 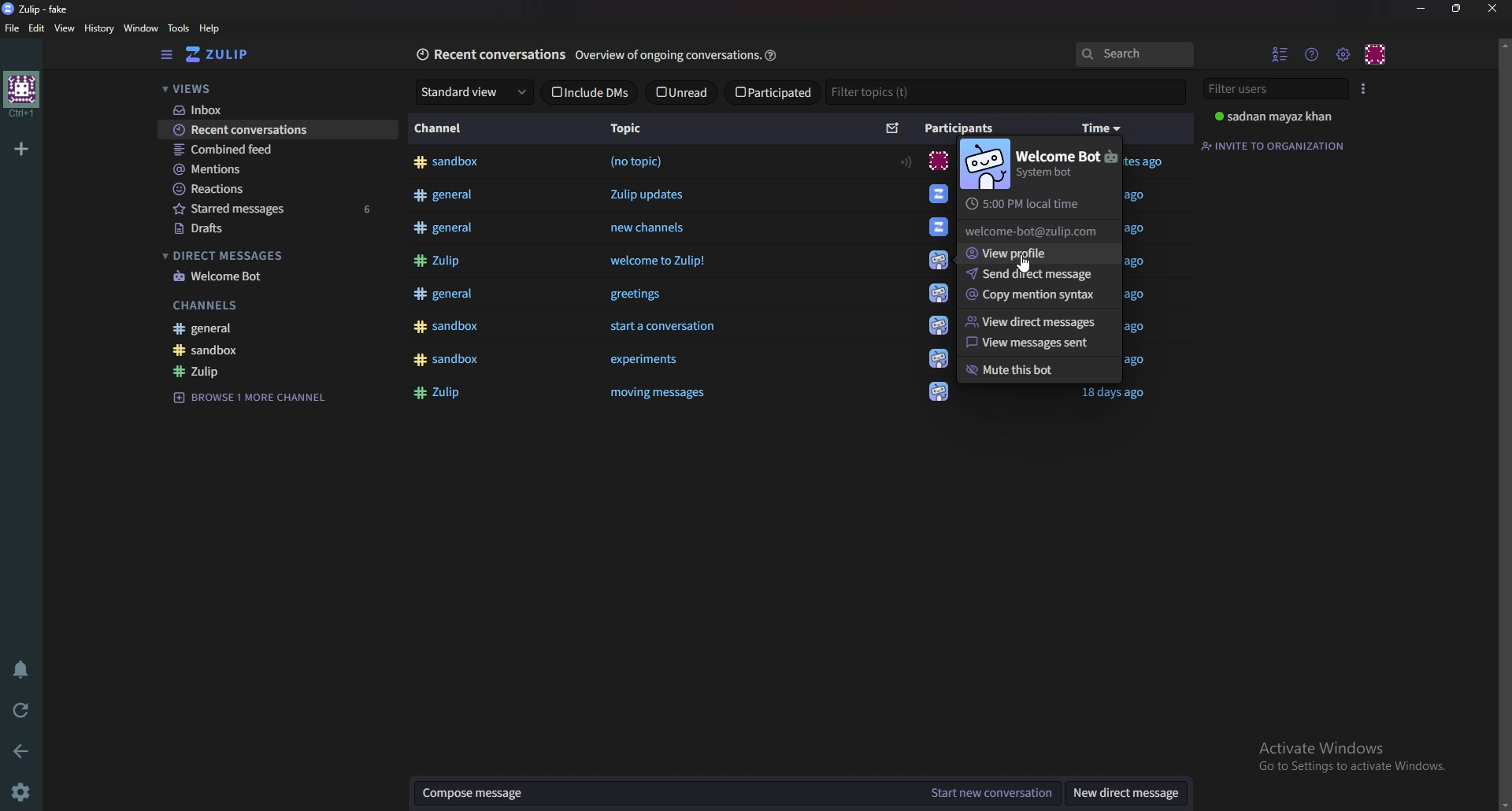 I want to click on #sandbox, so click(x=447, y=361).